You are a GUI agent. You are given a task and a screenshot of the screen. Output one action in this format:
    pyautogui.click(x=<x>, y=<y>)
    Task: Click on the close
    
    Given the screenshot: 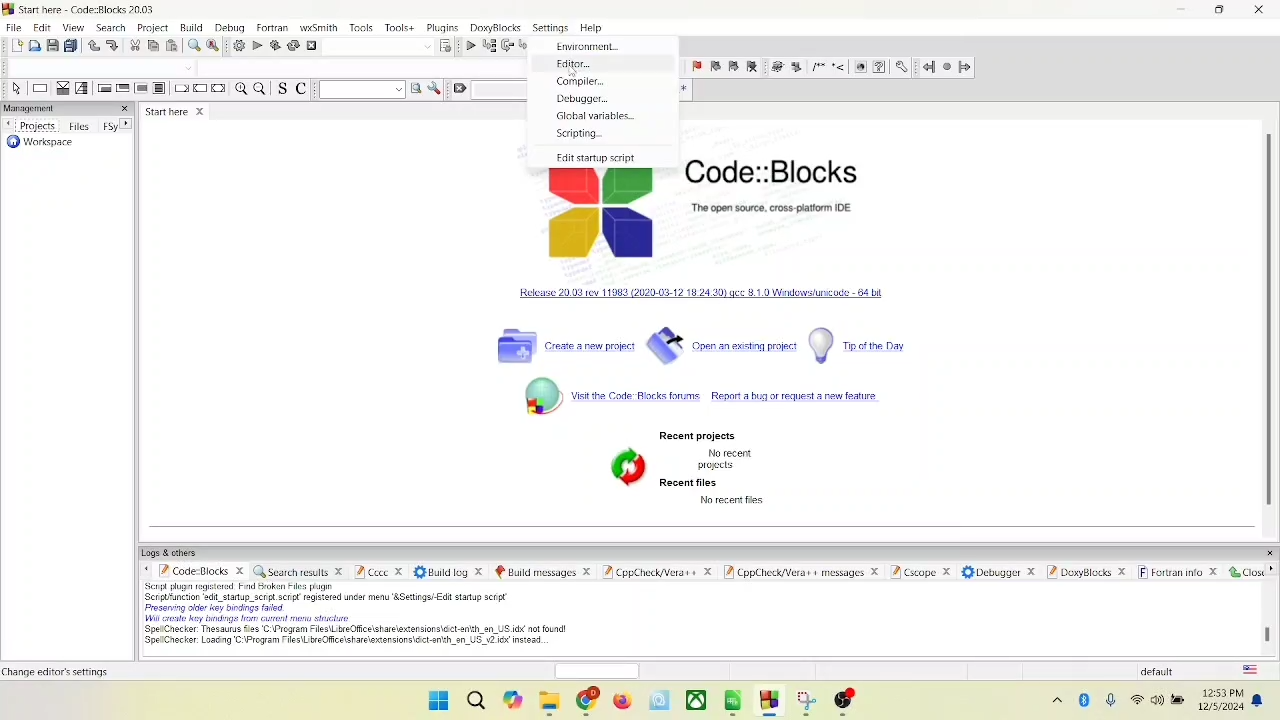 What is the action you would take?
    pyautogui.click(x=1264, y=9)
    